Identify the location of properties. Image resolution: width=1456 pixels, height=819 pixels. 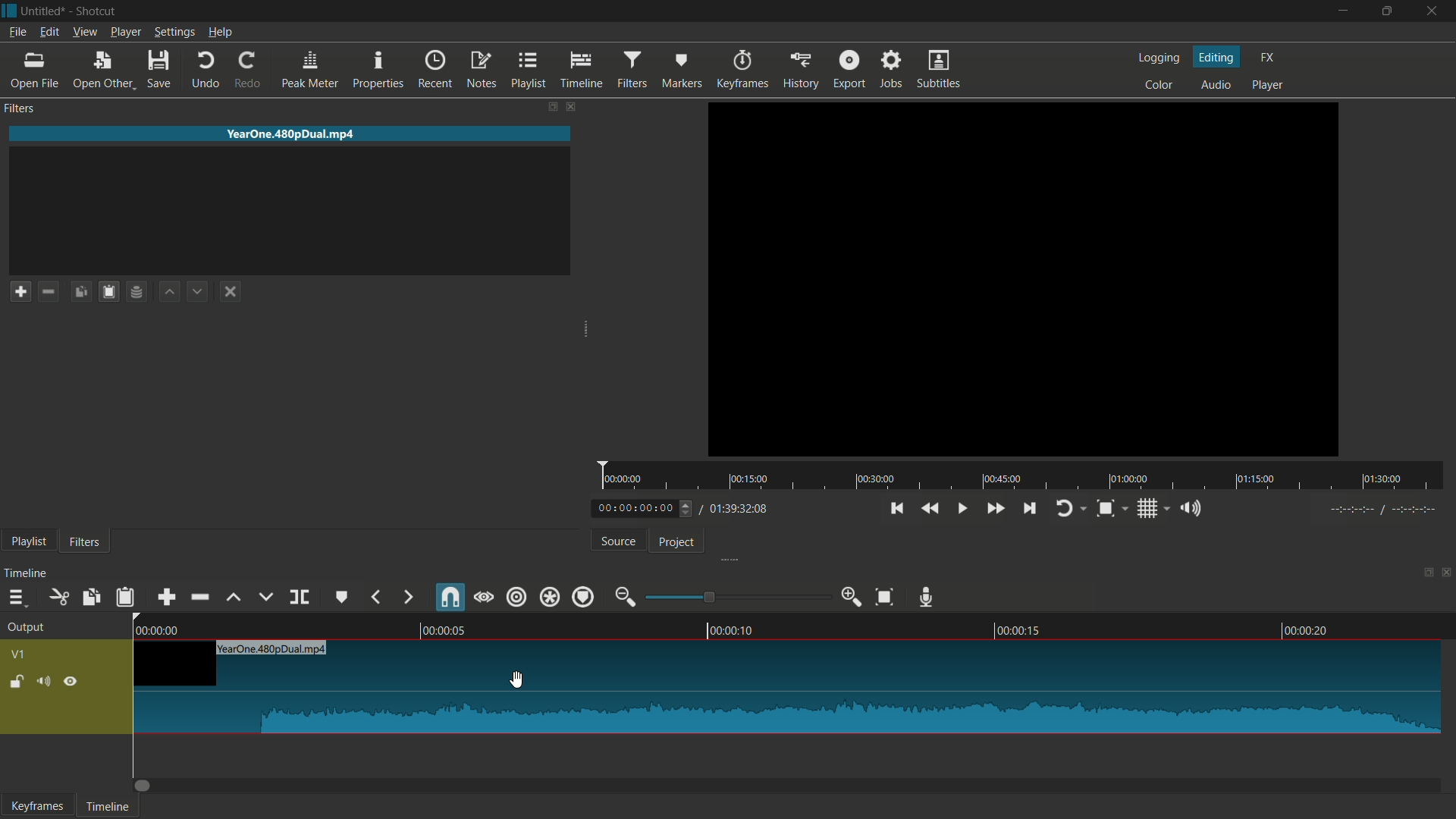
(378, 71).